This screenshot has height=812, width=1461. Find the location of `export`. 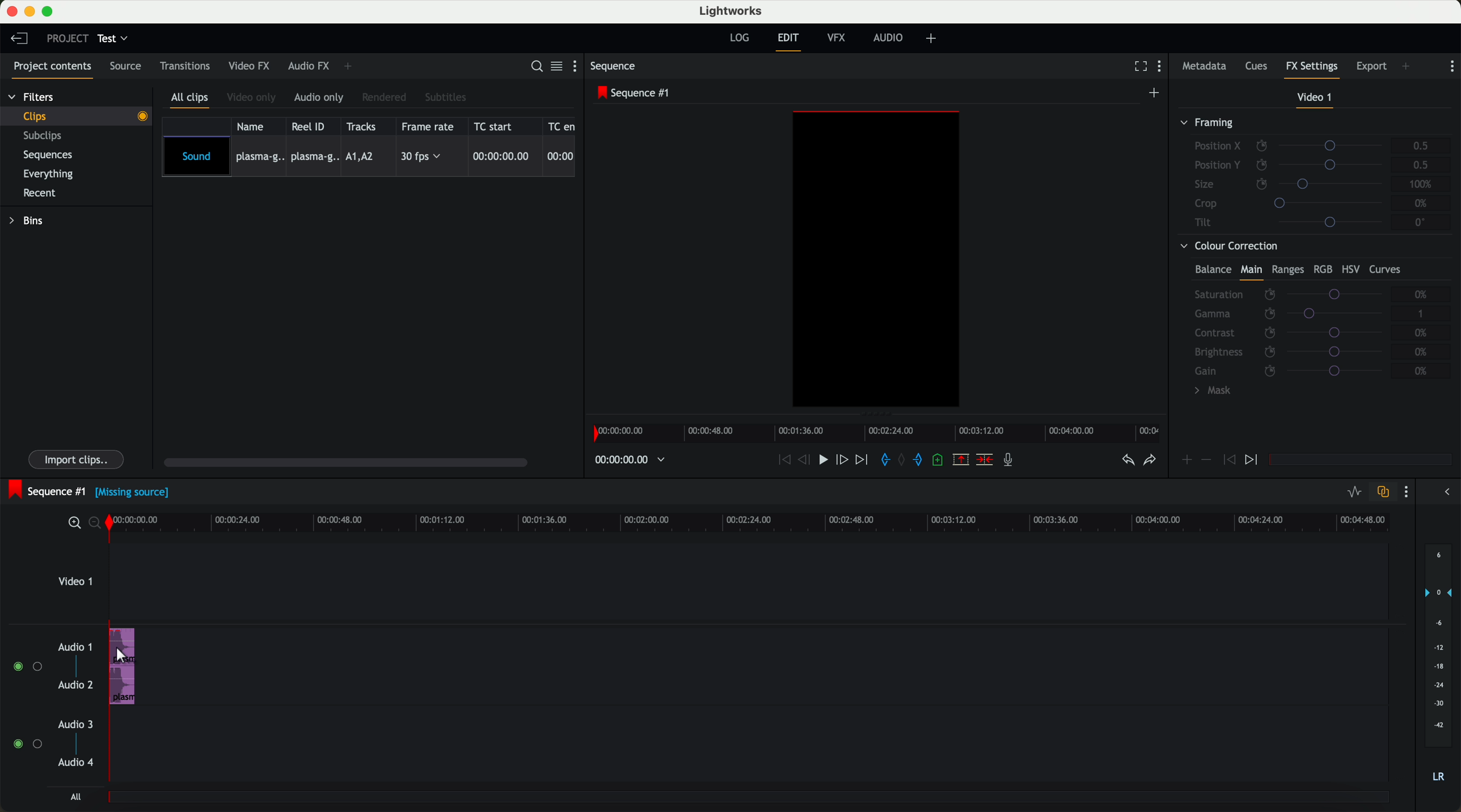

export is located at coordinates (1370, 65).